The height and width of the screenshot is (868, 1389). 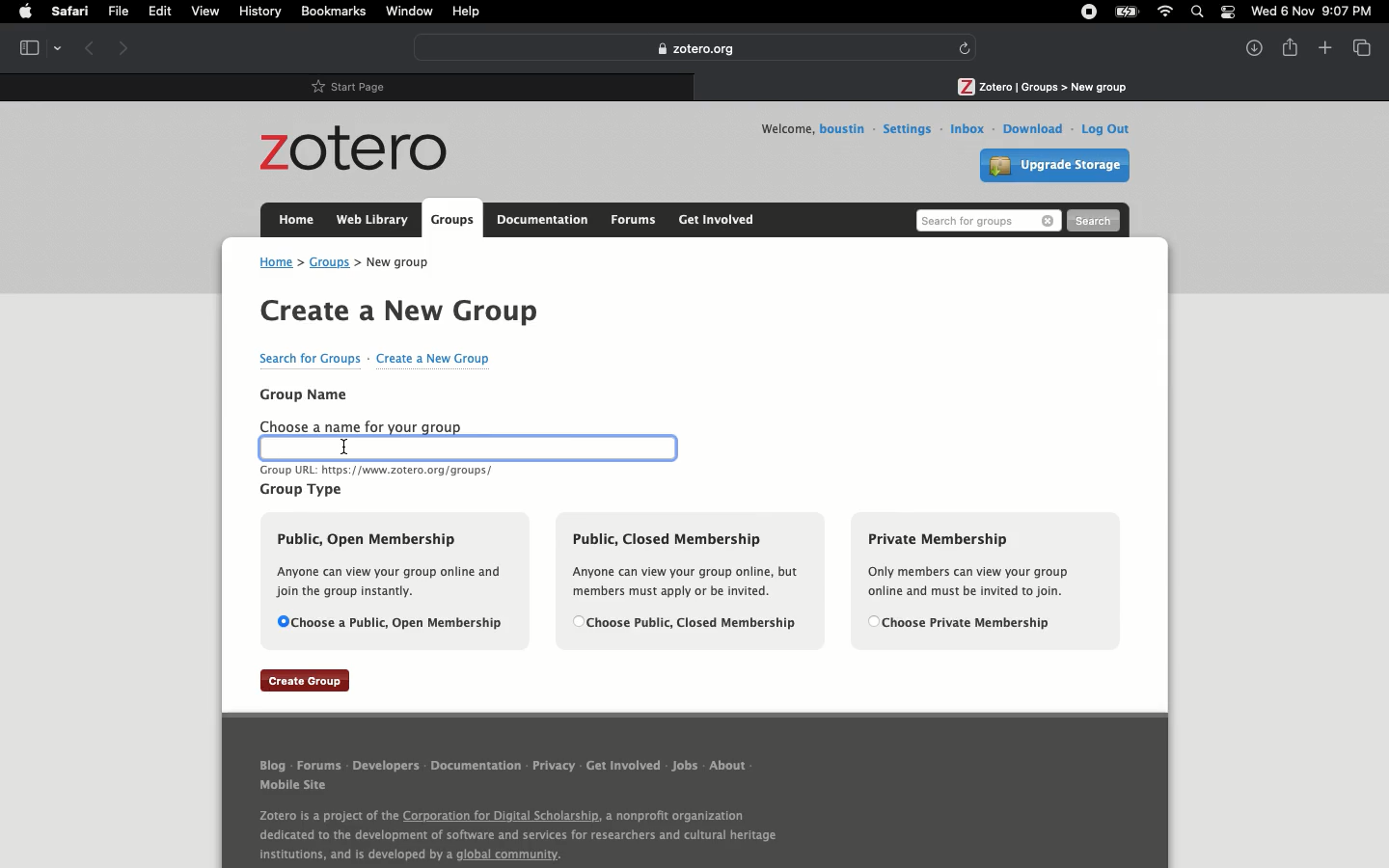 What do you see at coordinates (553, 765) in the screenshot?
I see `Privacy` at bounding box center [553, 765].